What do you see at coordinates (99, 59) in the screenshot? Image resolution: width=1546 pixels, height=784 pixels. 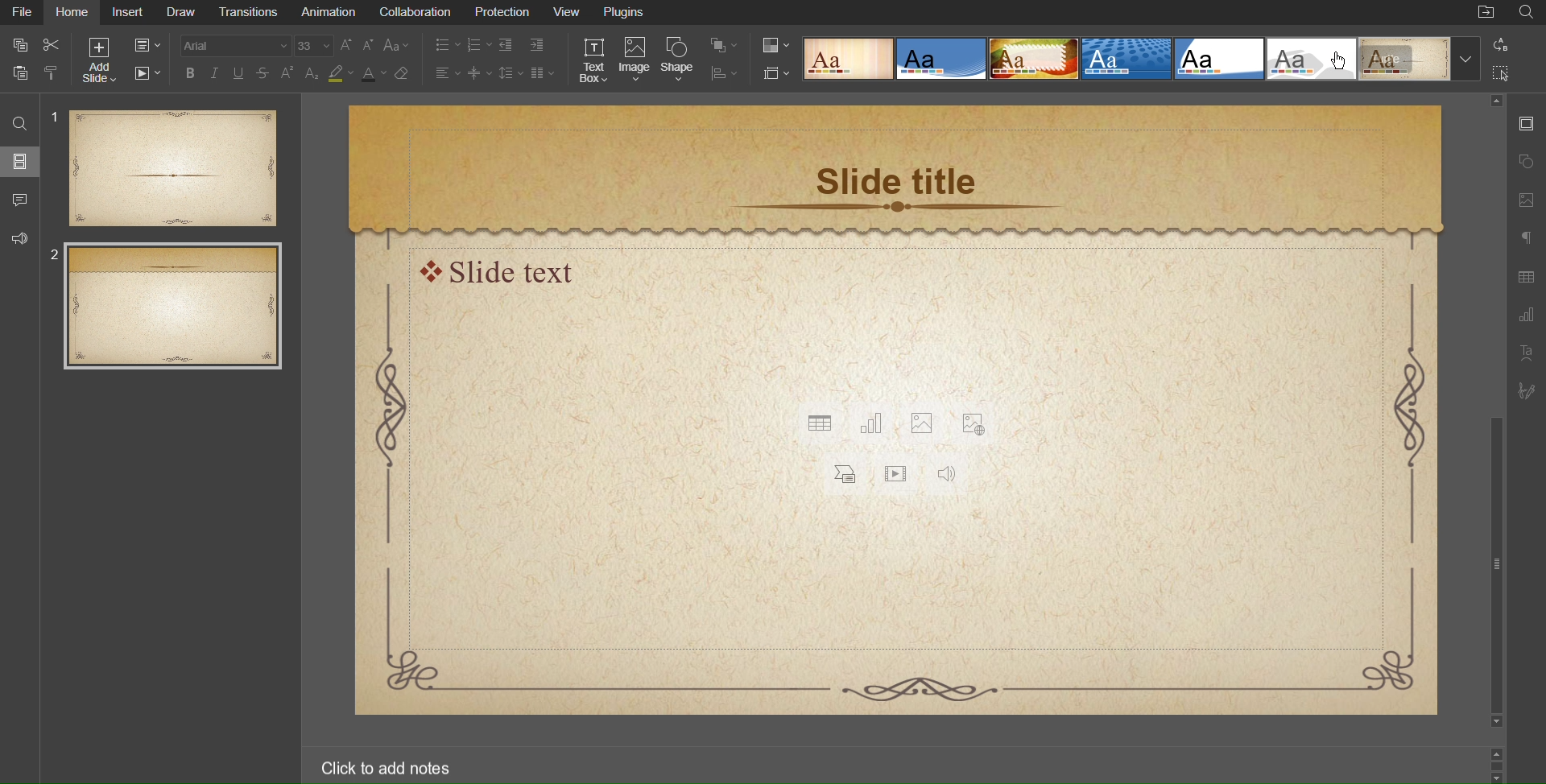 I see `Add Slide` at bounding box center [99, 59].